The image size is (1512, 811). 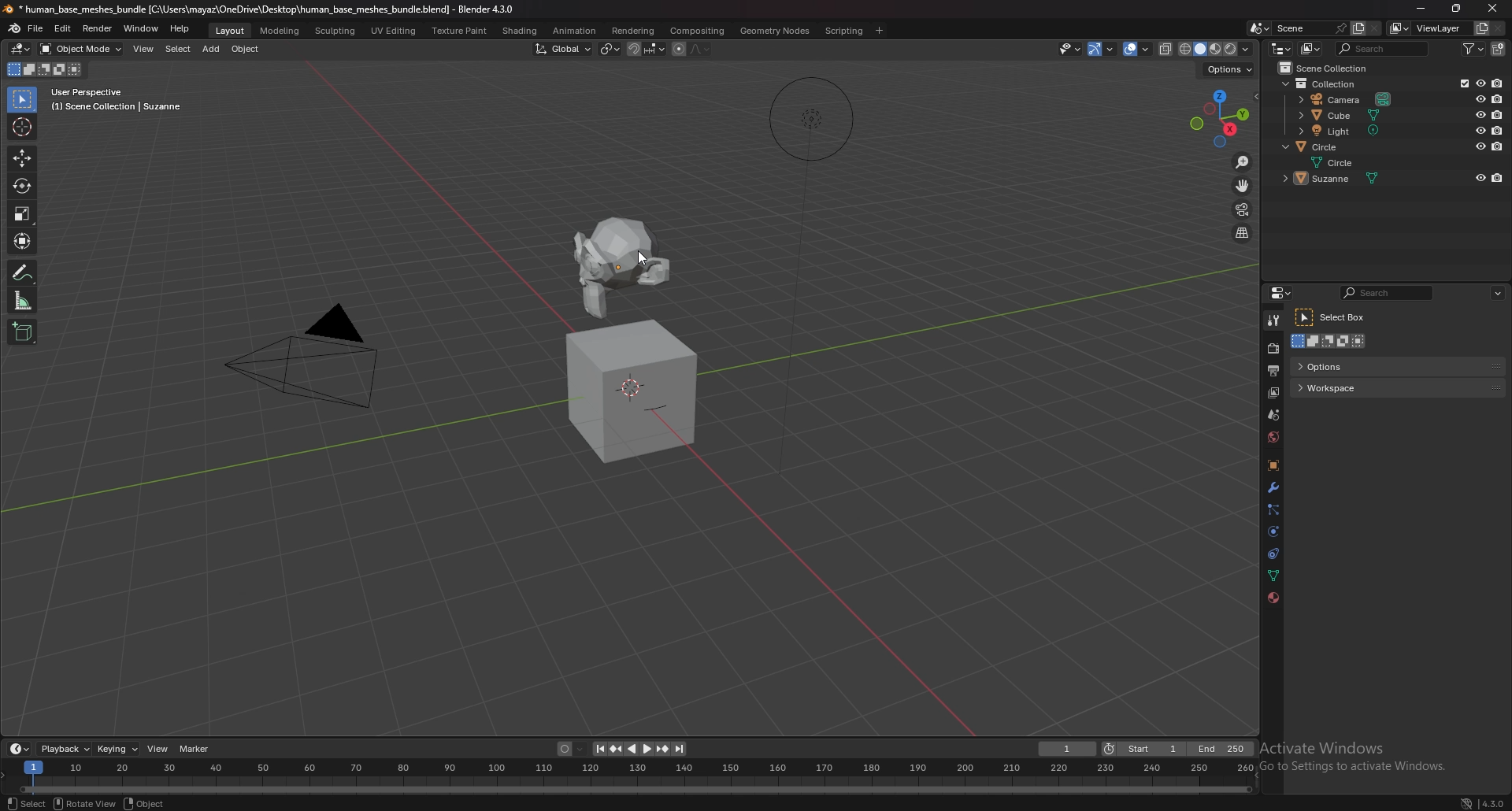 What do you see at coordinates (1274, 371) in the screenshot?
I see `output` at bounding box center [1274, 371].